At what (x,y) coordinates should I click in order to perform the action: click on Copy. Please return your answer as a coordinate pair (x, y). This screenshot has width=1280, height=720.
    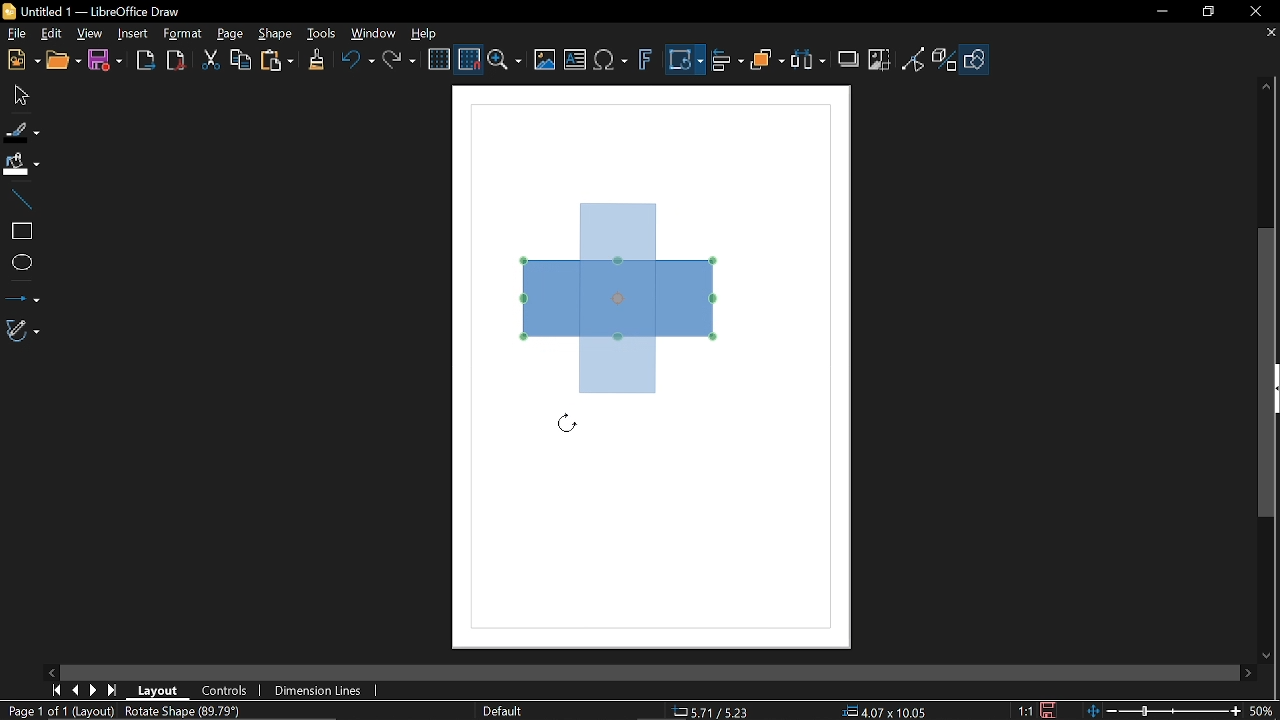
    Looking at the image, I should click on (239, 63).